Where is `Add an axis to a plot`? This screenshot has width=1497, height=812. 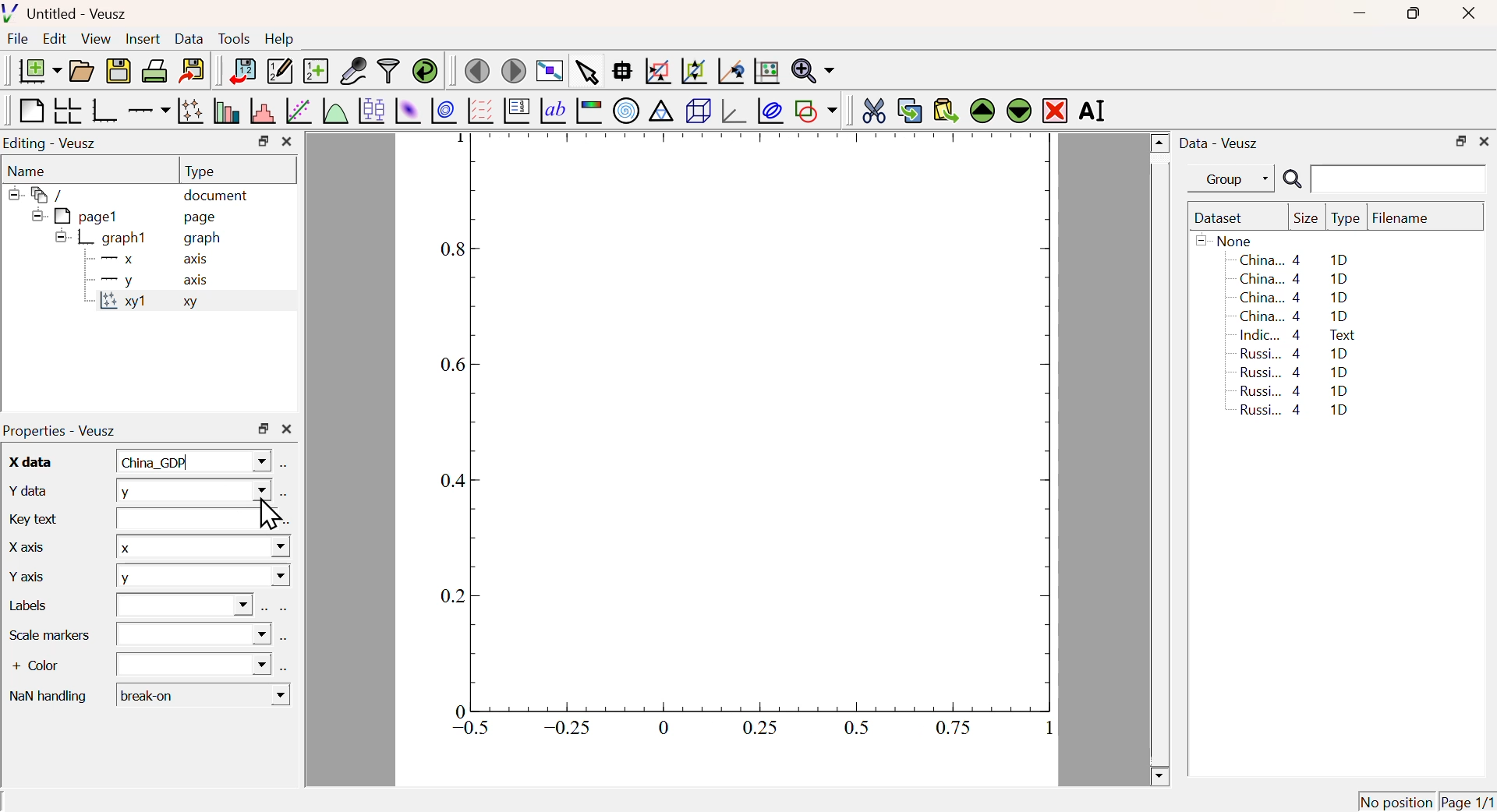 Add an axis to a plot is located at coordinates (148, 112).